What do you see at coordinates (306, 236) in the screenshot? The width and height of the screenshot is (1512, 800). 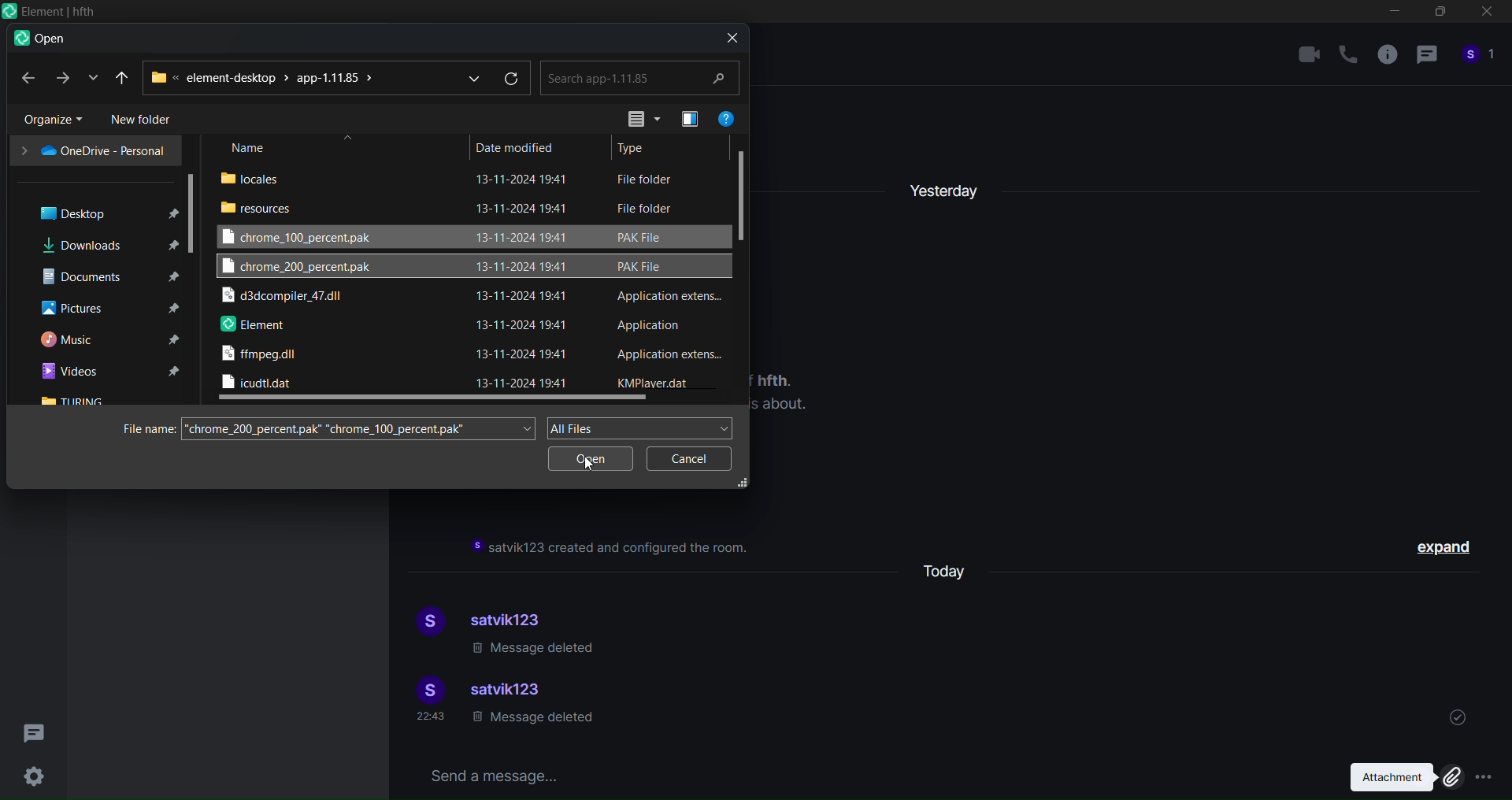 I see `chrome 100` at bounding box center [306, 236].